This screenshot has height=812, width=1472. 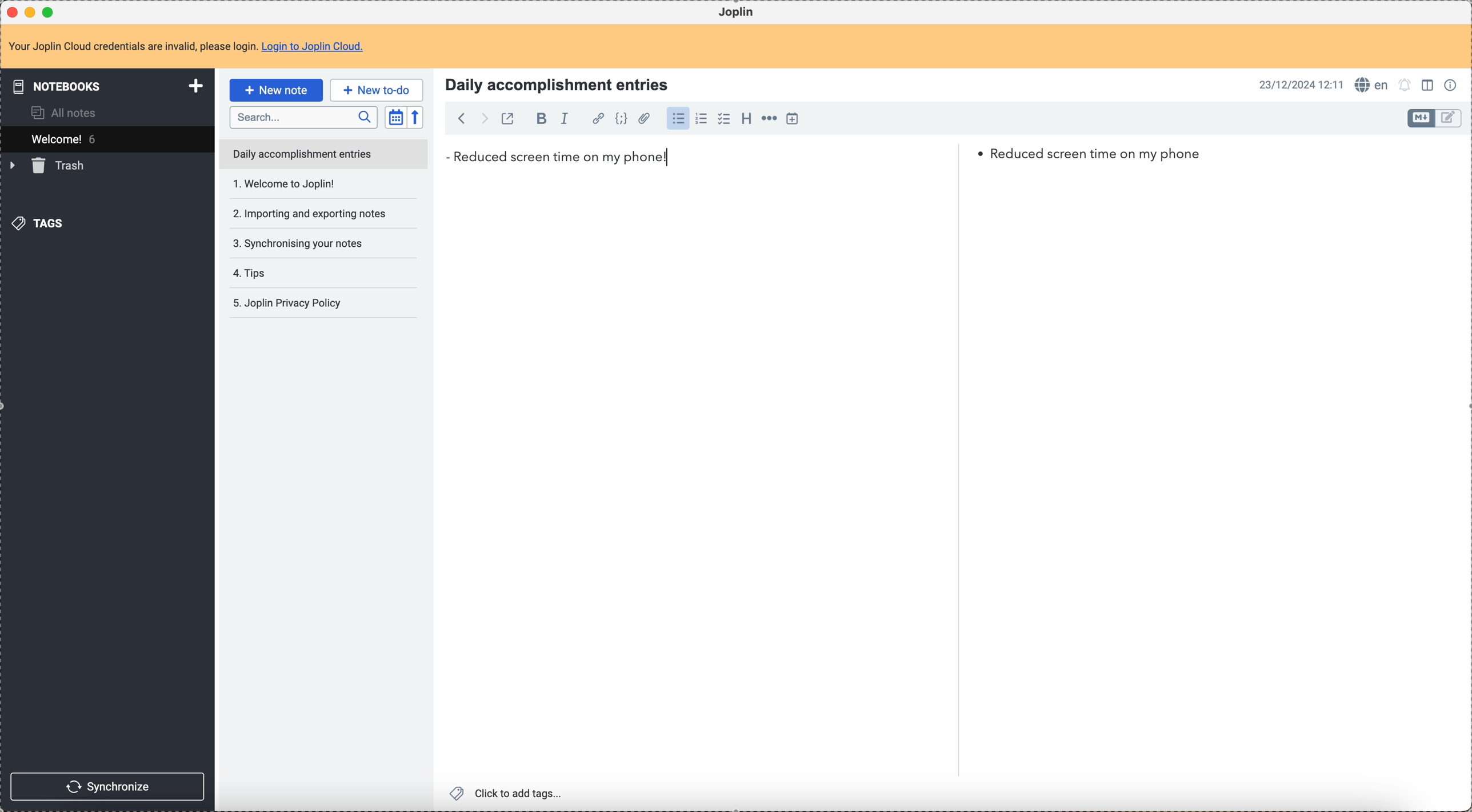 I want to click on back, so click(x=458, y=118).